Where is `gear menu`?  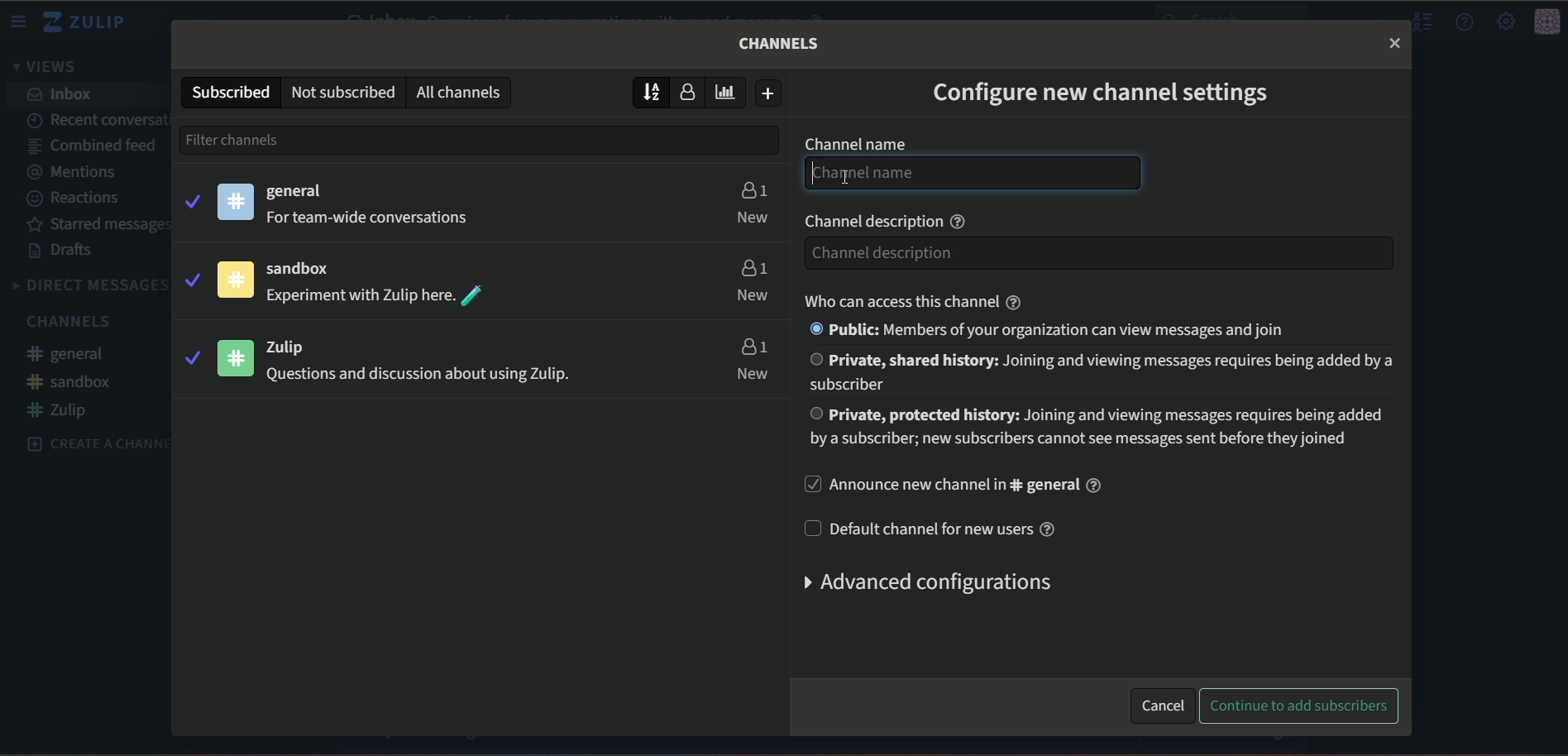 gear menu is located at coordinates (1504, 21).